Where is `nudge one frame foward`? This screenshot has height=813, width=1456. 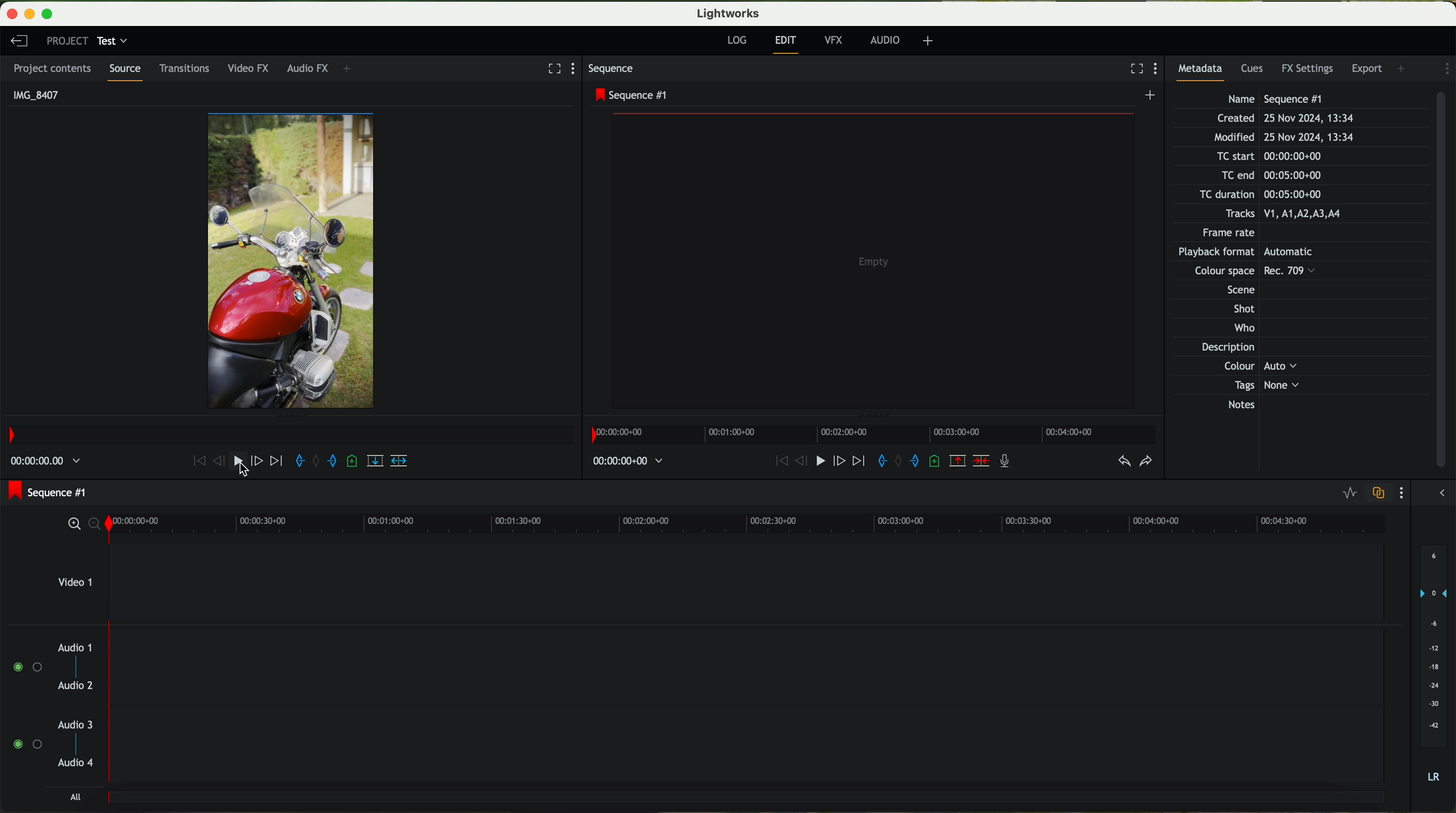 nudge one frame foward is located at coordinates (836, 461).